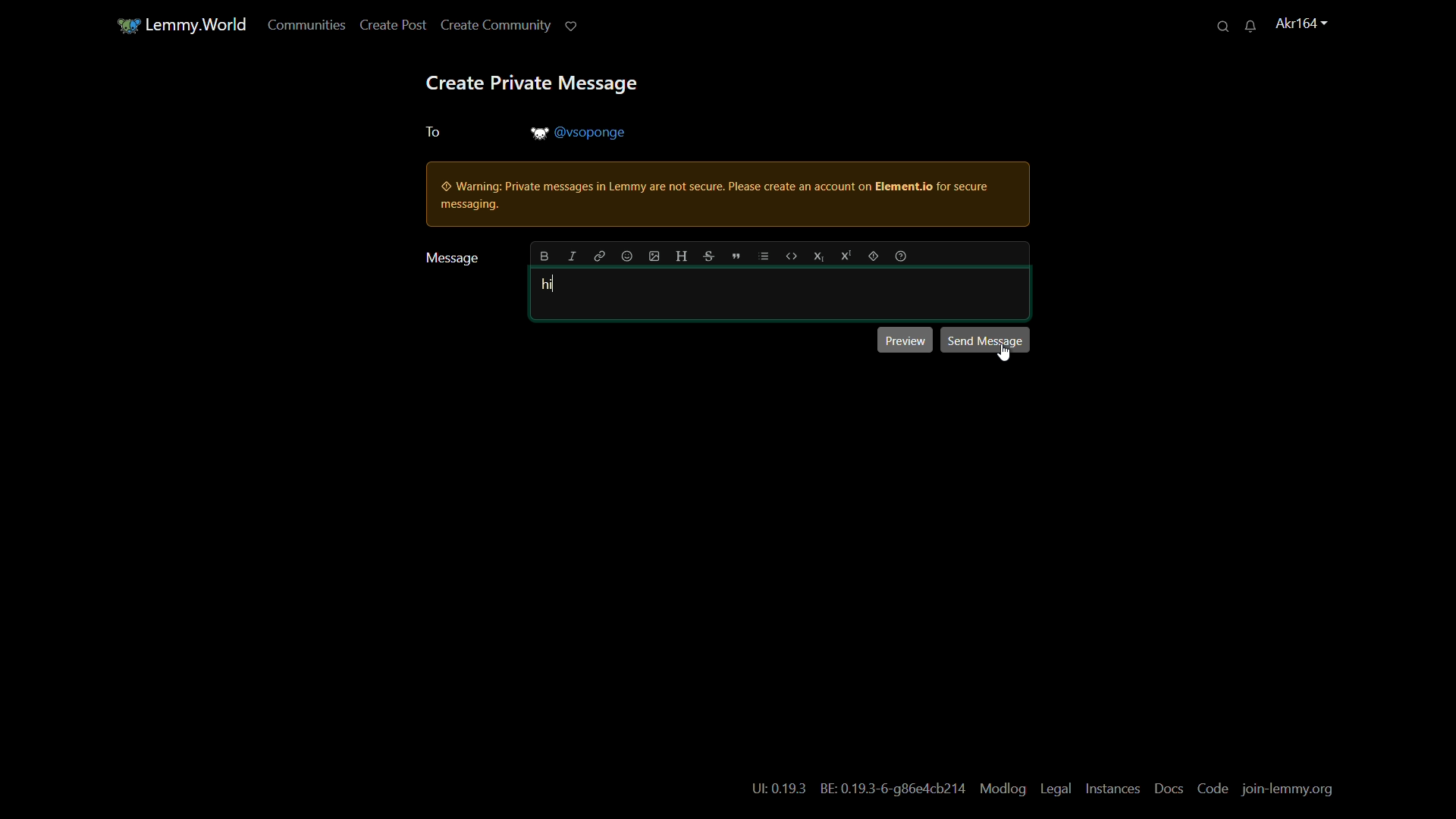 This screenshot has width=1456, height=819. Describe the element at coordinates (1054, 789) in the screenshot. I see `legal` at that location.